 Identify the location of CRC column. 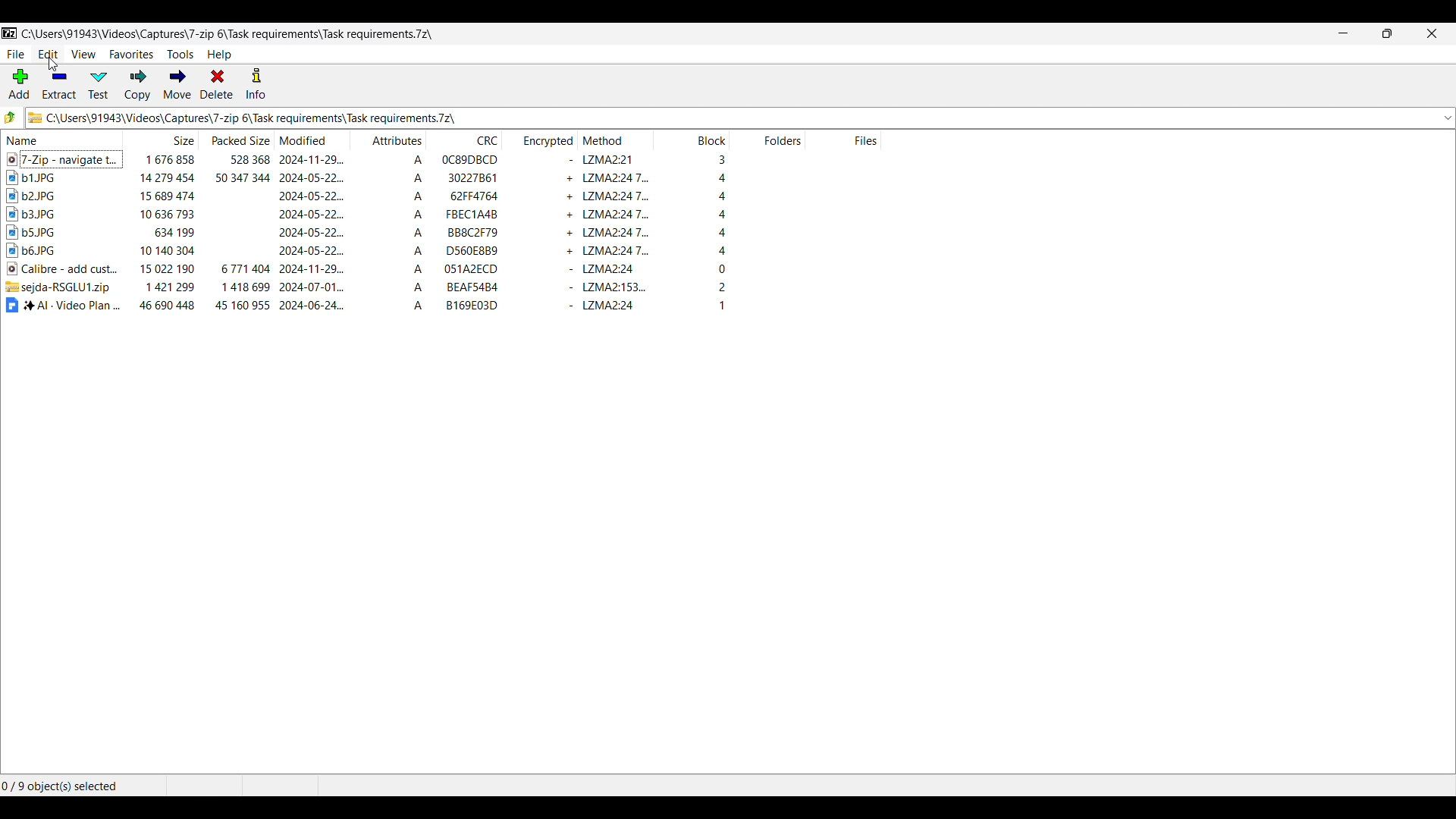
(465, 139).